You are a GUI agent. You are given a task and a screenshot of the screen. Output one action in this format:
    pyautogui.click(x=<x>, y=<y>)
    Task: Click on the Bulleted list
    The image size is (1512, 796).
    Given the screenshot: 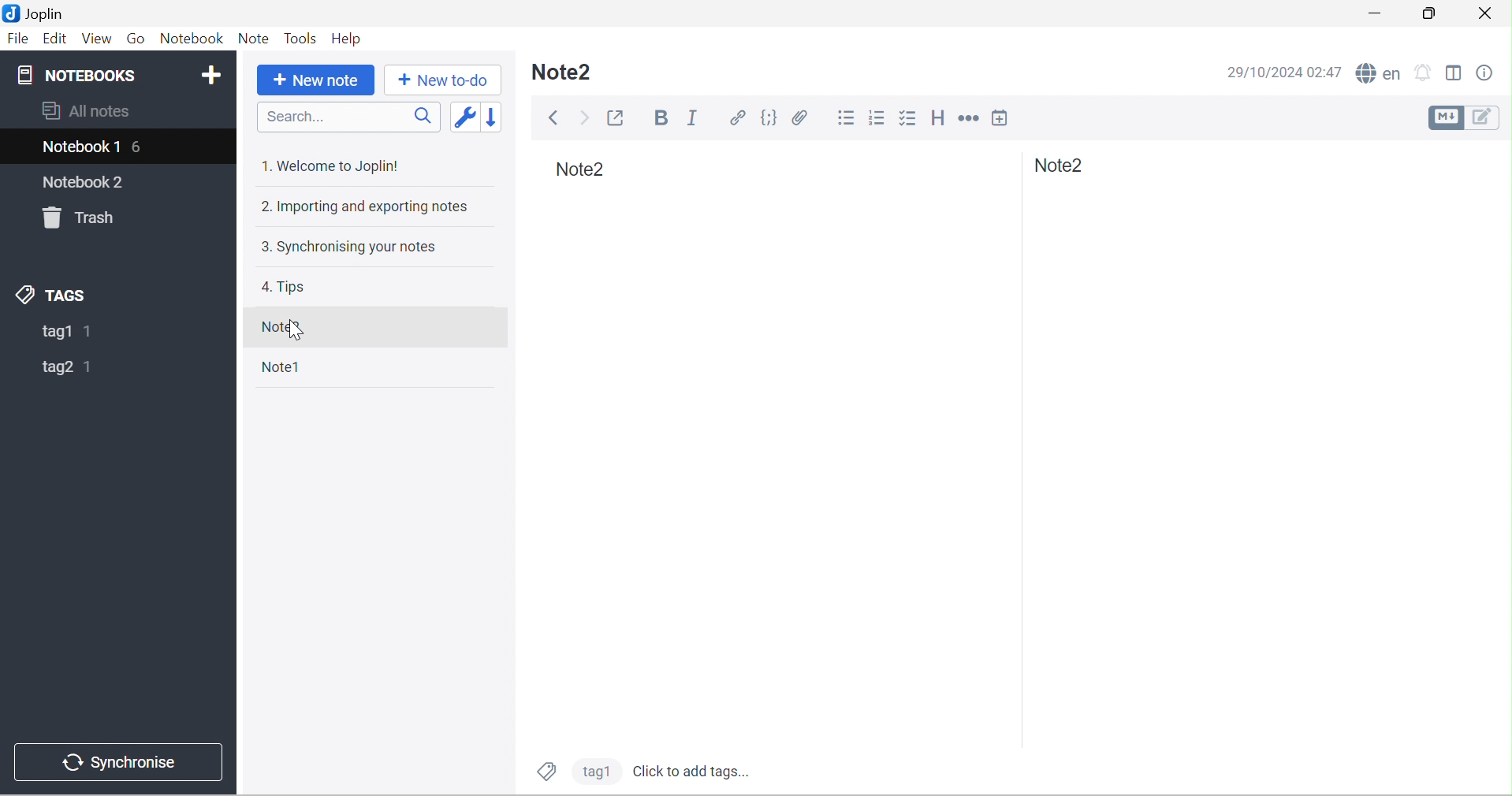 What is the action you would take?
    pyautogui.click(x=845, y=120)
    